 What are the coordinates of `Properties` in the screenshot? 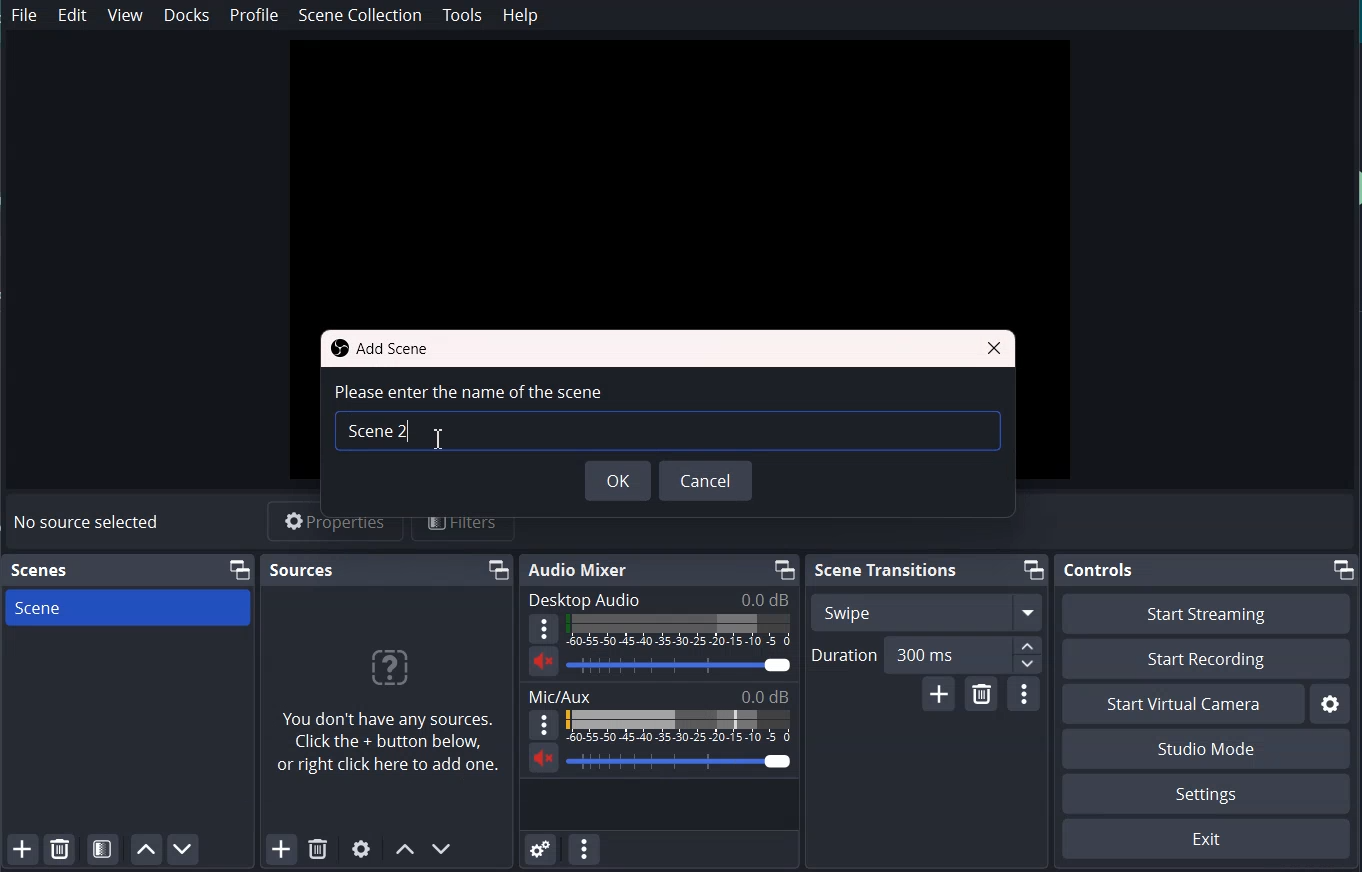 It's located at (337, 521).